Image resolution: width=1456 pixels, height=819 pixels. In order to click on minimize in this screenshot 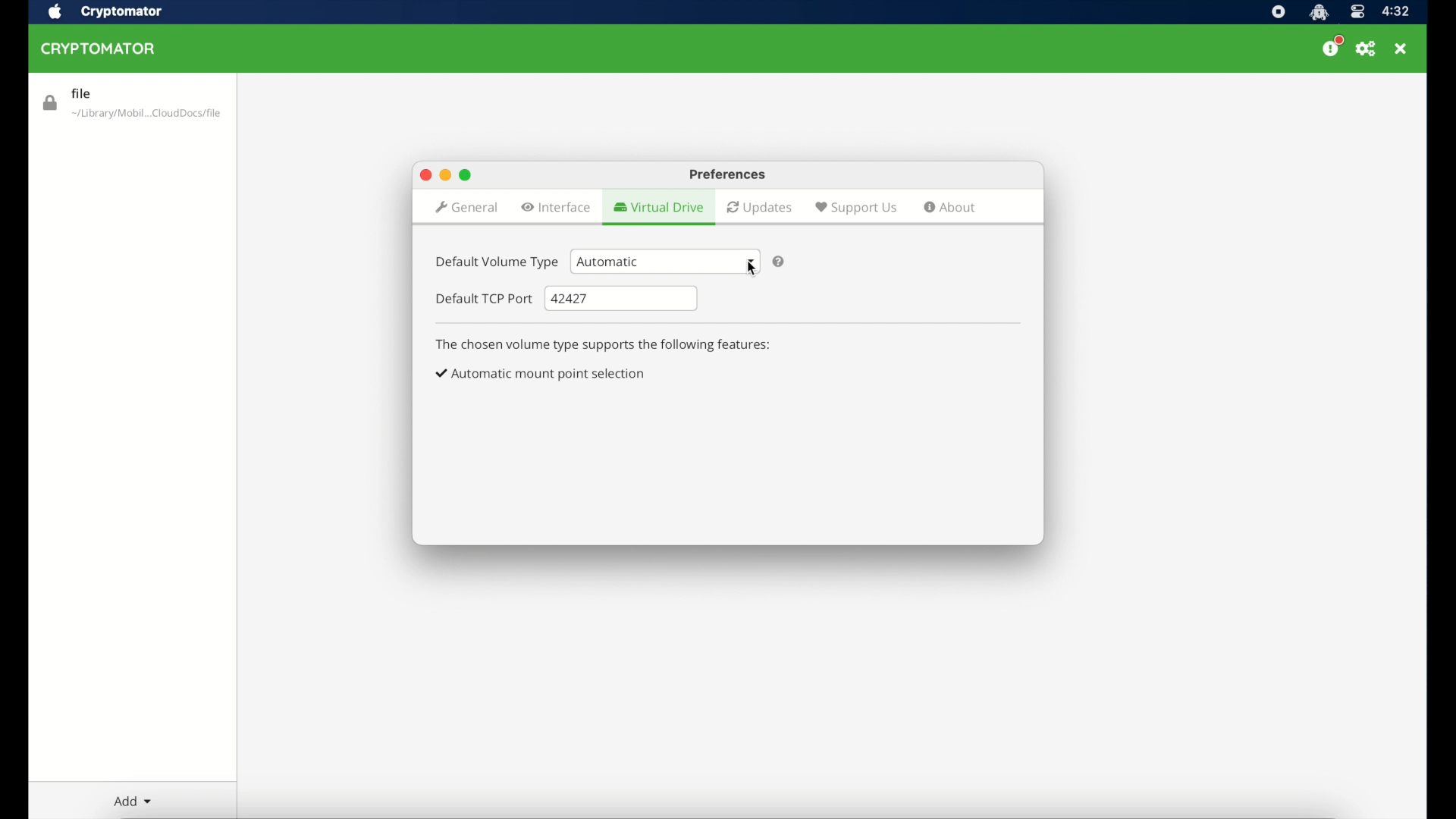, I will do `click(444, 175)`.